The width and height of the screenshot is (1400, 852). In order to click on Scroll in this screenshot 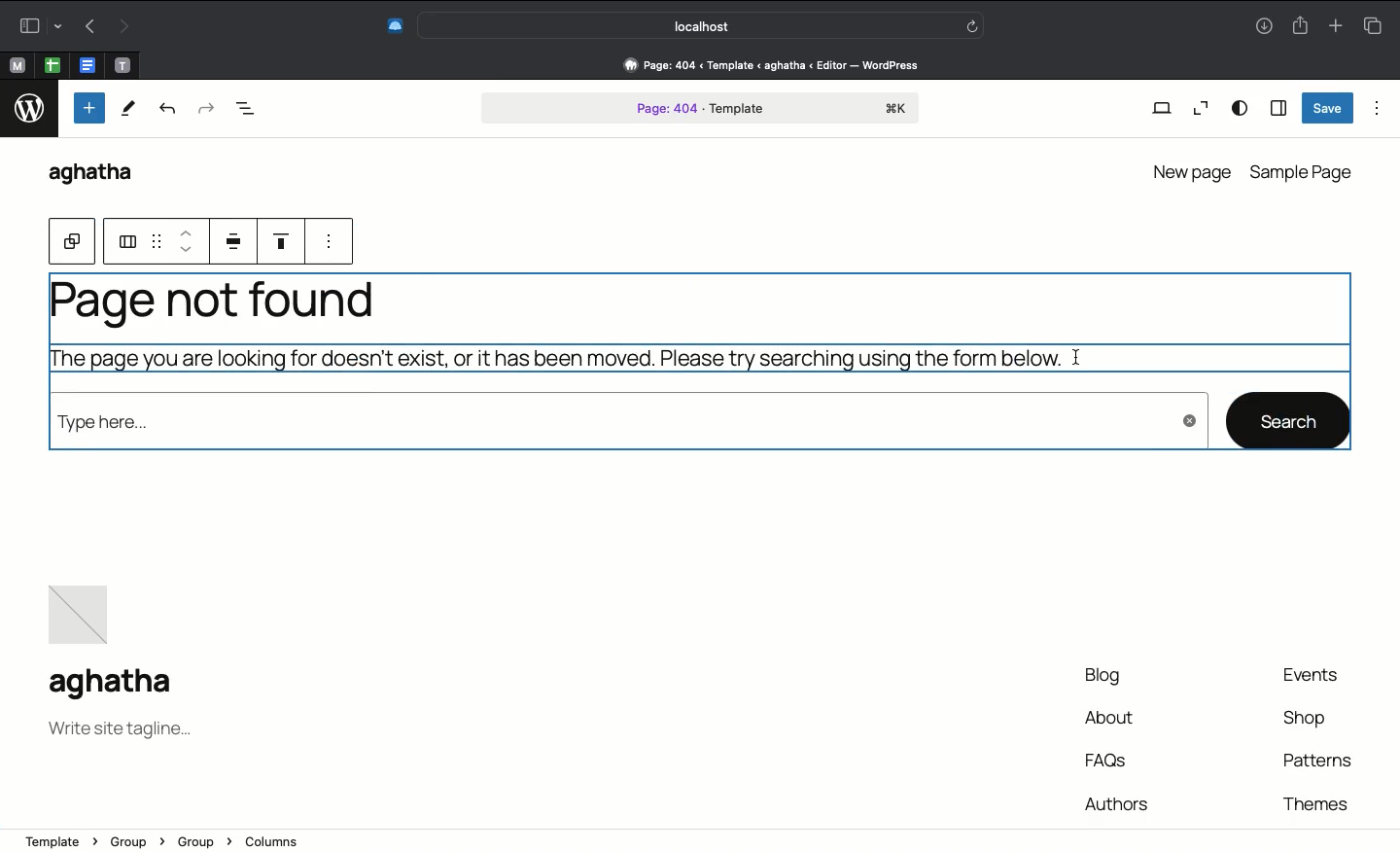, I will do `click(1391, 333)`.